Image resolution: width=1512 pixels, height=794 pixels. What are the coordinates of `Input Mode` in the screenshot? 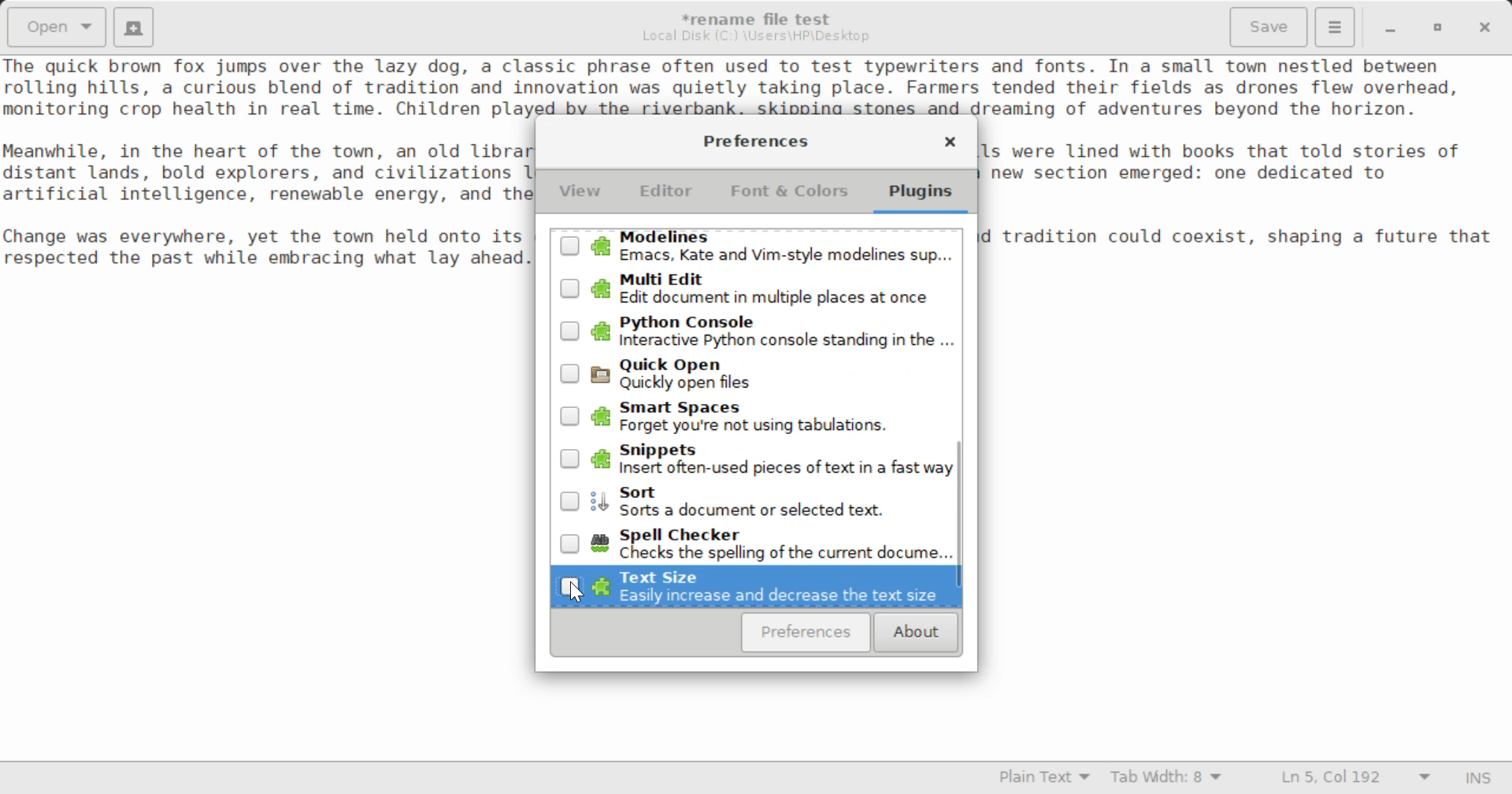 It's located at (1478, 780).